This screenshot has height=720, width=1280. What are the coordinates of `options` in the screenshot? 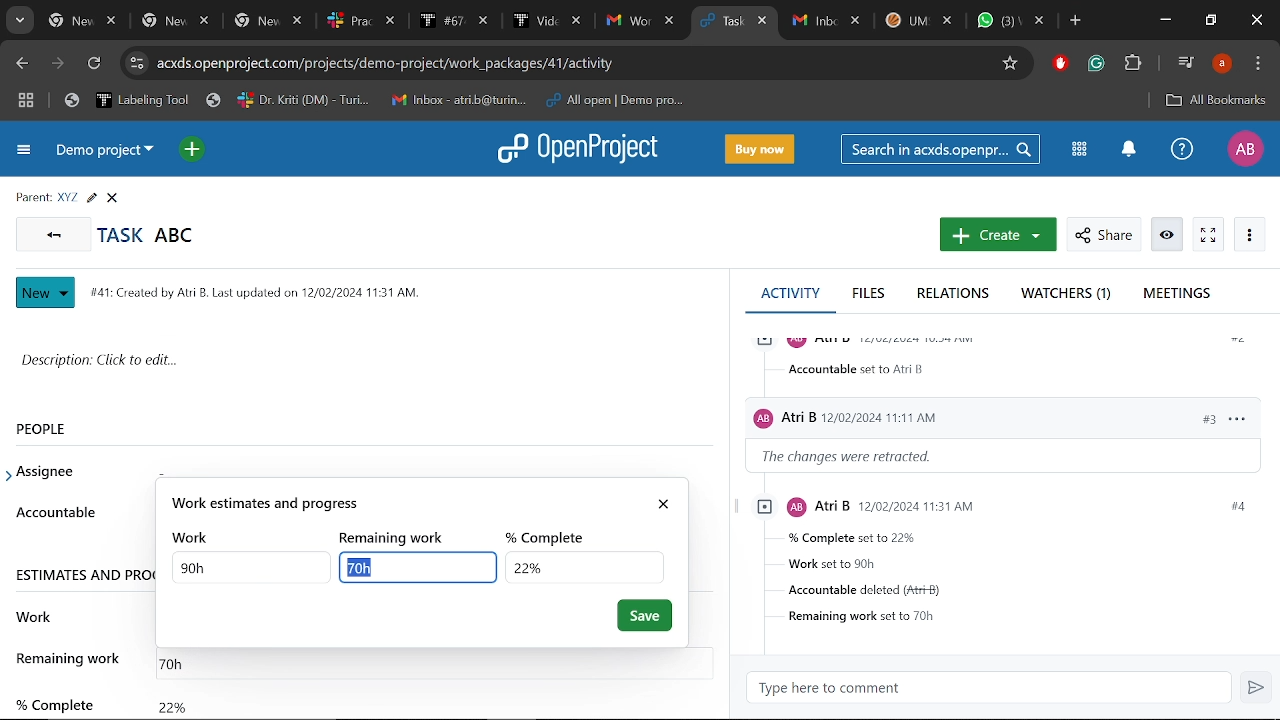 It's located at (1236, 417).